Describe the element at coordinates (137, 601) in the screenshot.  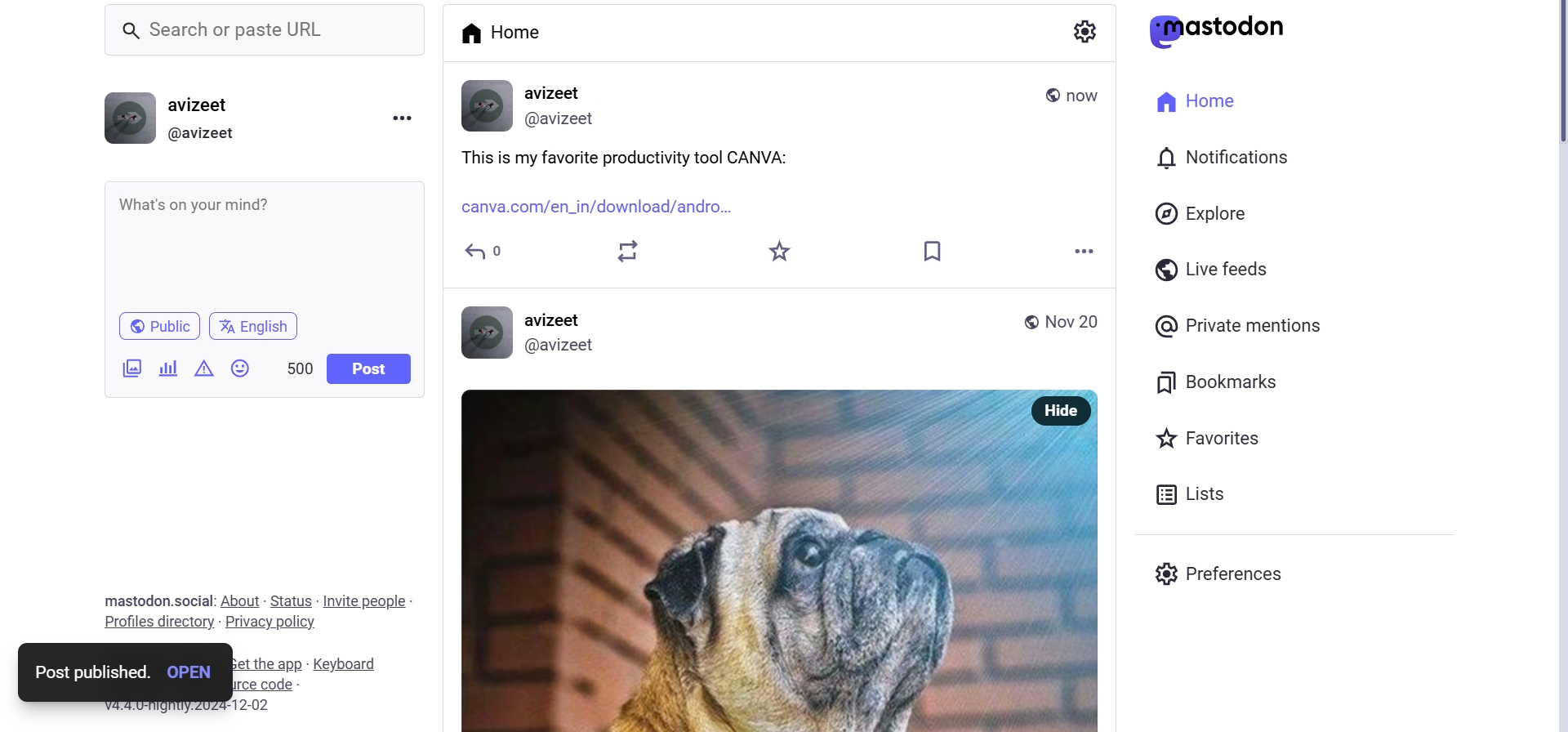
I see `mastodon social` at that location.